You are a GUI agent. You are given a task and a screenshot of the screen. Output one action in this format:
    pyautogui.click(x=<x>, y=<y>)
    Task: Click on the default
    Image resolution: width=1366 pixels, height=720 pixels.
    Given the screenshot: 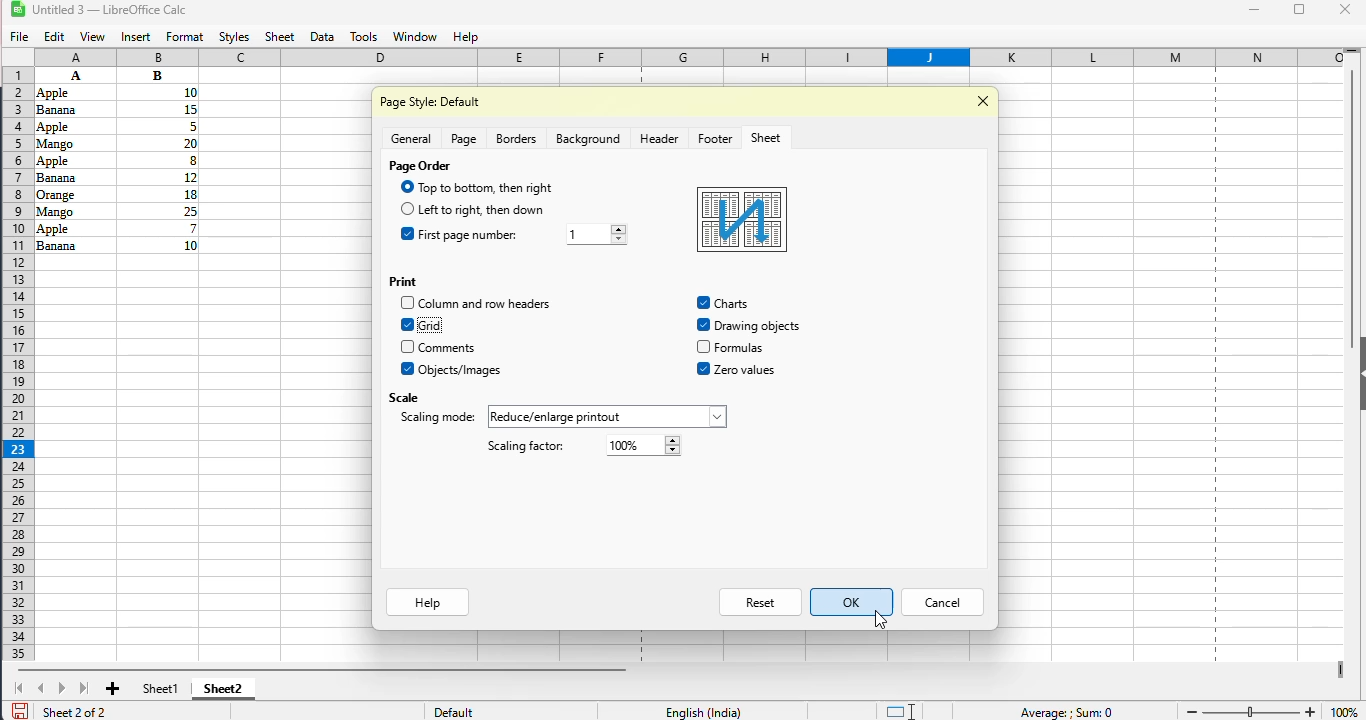 What is the action you would take?
    pyautogui.click(x=453, y=712)
    